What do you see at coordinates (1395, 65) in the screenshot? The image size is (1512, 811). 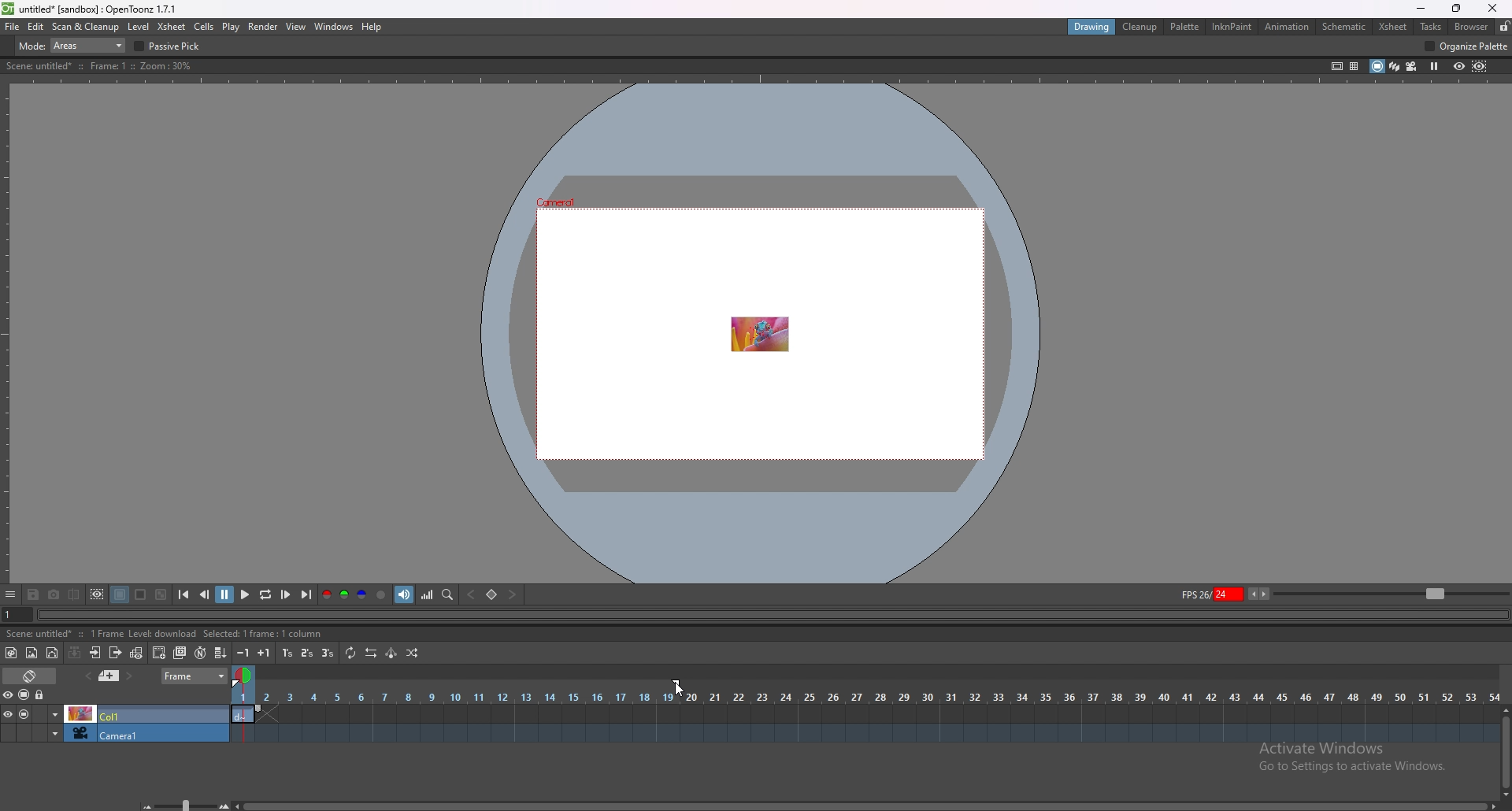 I see `3d` at bounding box center [1395, 65].